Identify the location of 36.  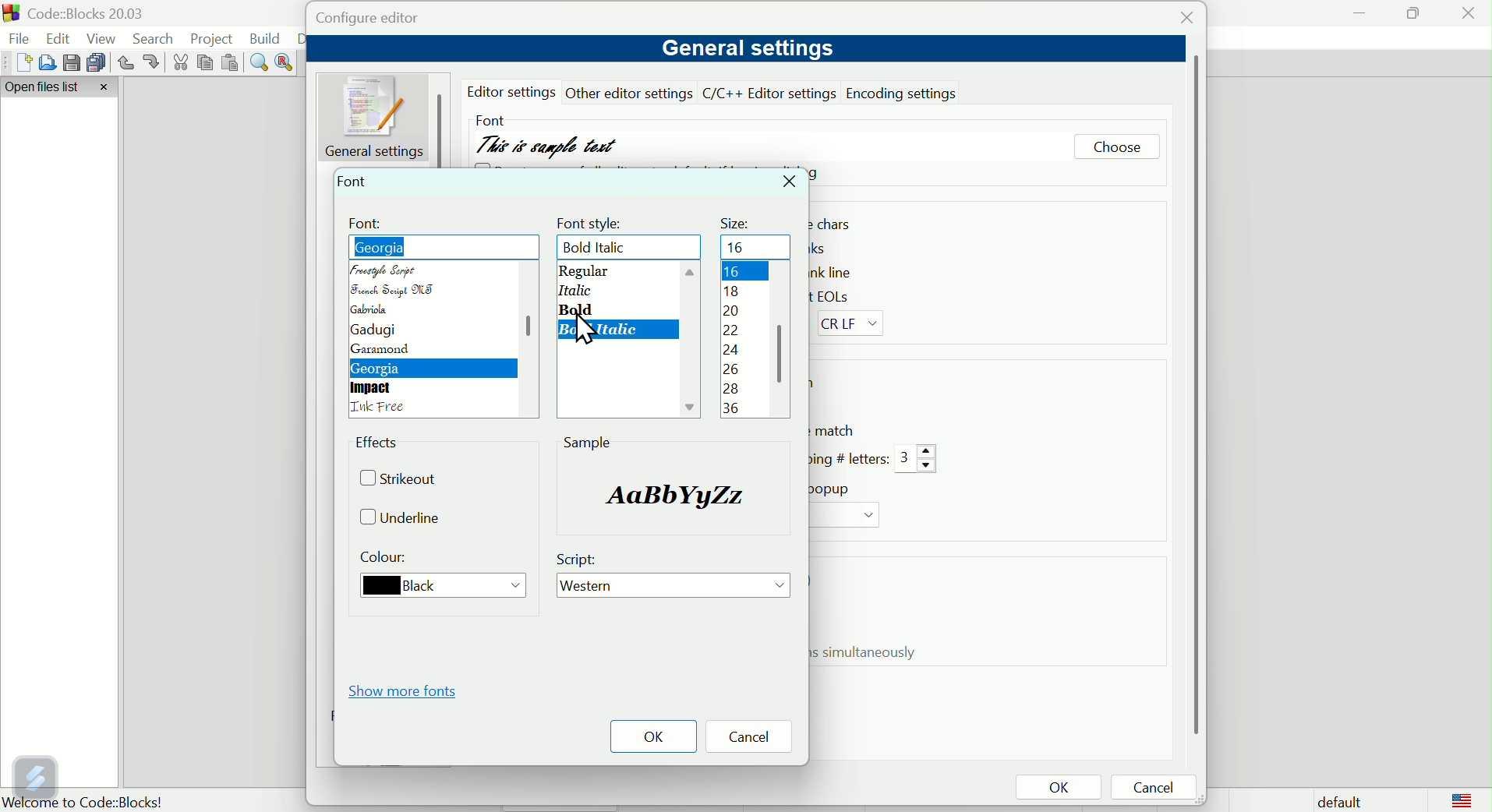
(734, 408).